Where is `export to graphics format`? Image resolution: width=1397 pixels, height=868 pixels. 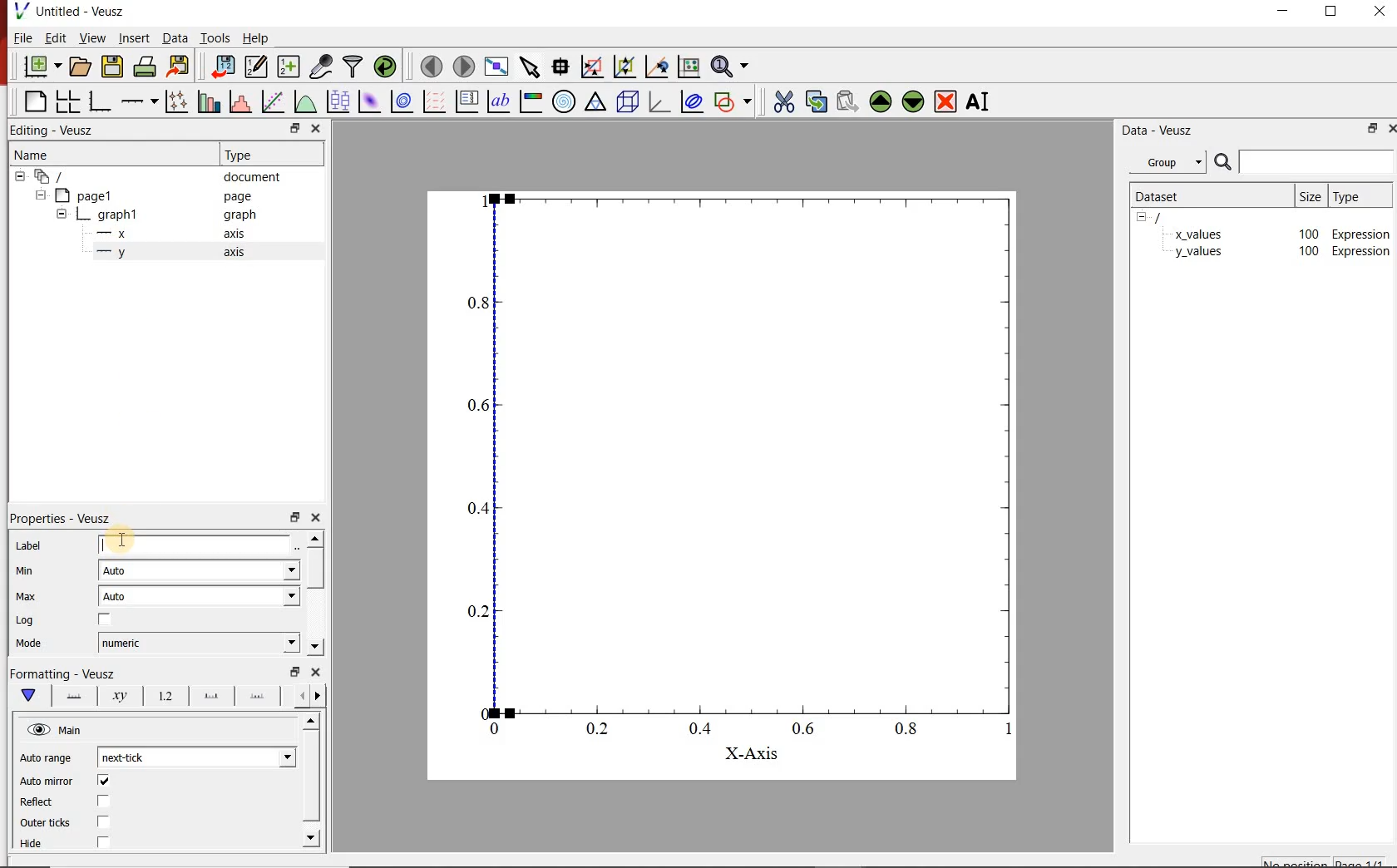 export to graphics format is located at coordinates (180, 66).